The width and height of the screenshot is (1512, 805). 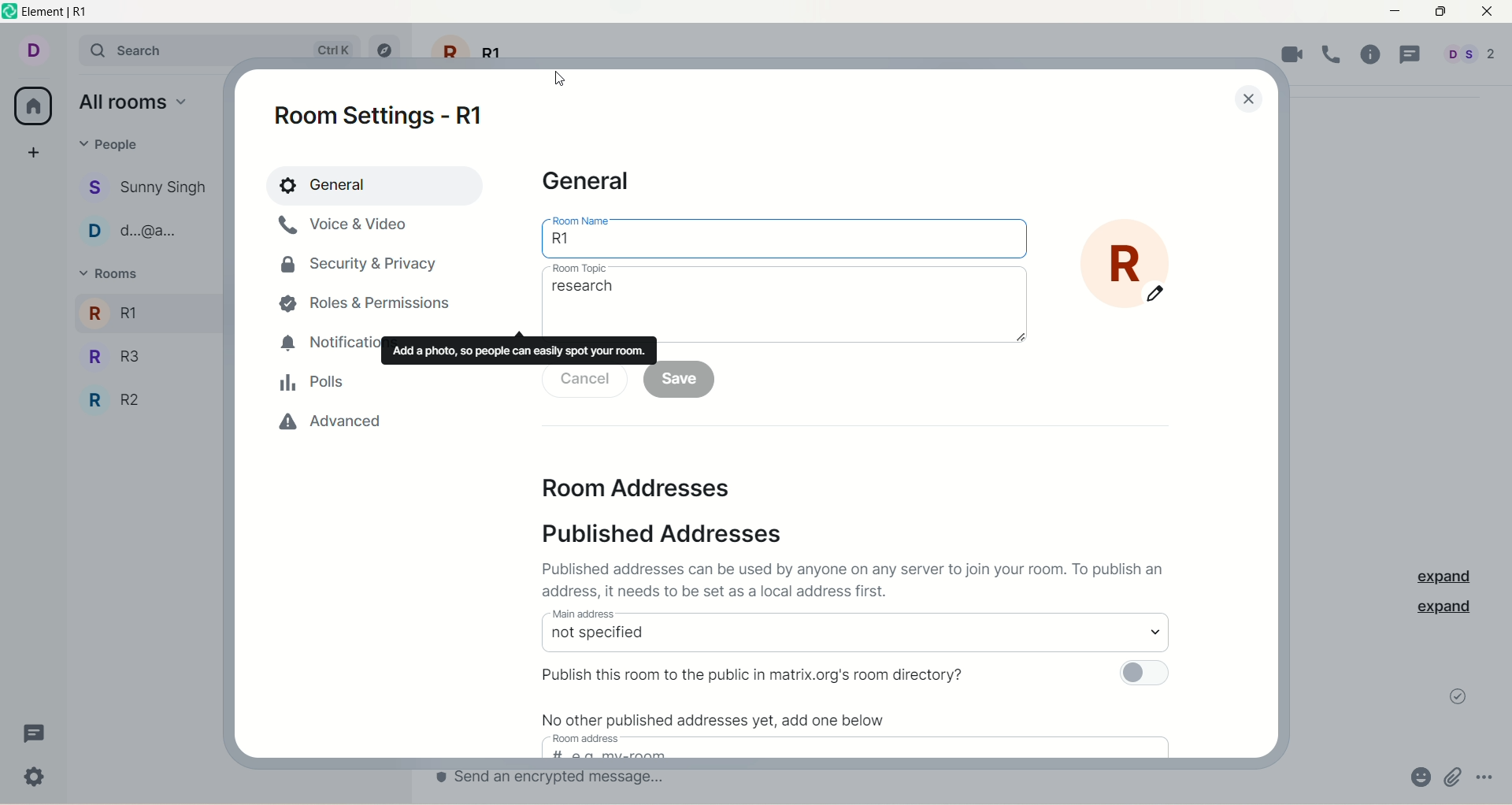 What do you see at coordinates (32, 51) in the screenshot?
I see `account` at bounding box center [32, 51].